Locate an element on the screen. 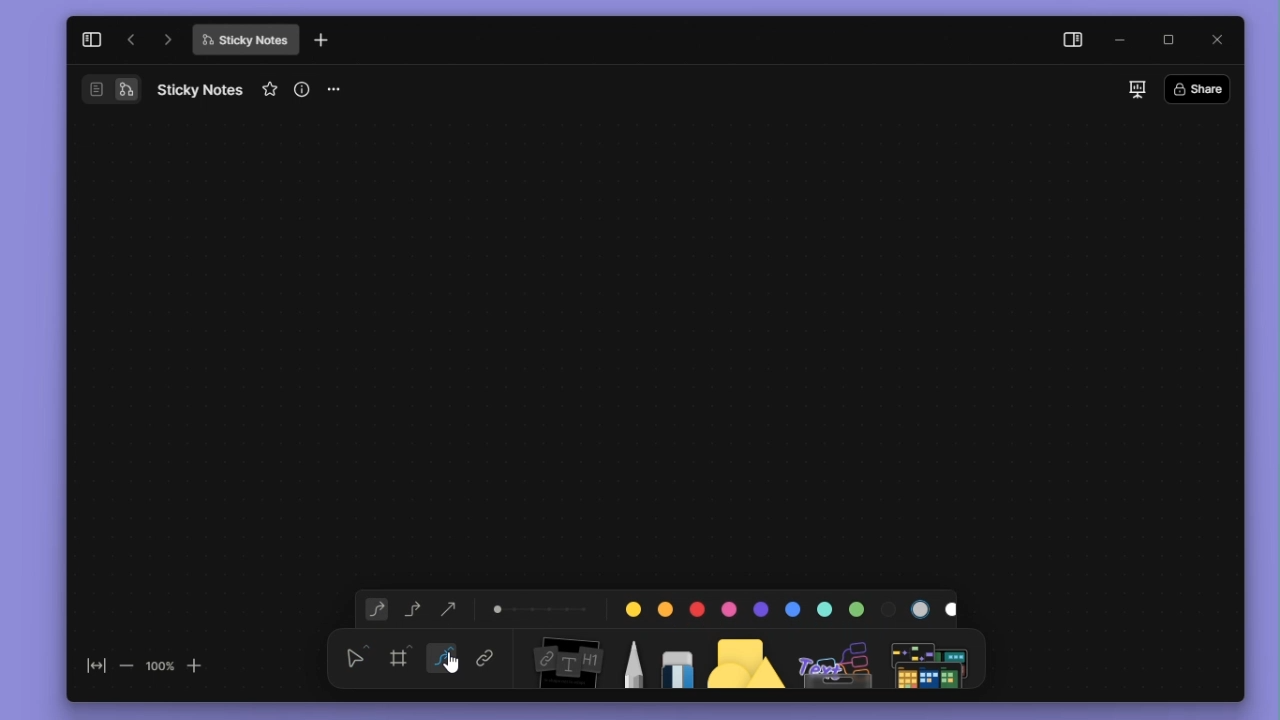 This screenshot has width=1280, height=720. other is located at coordinates (837, 658).